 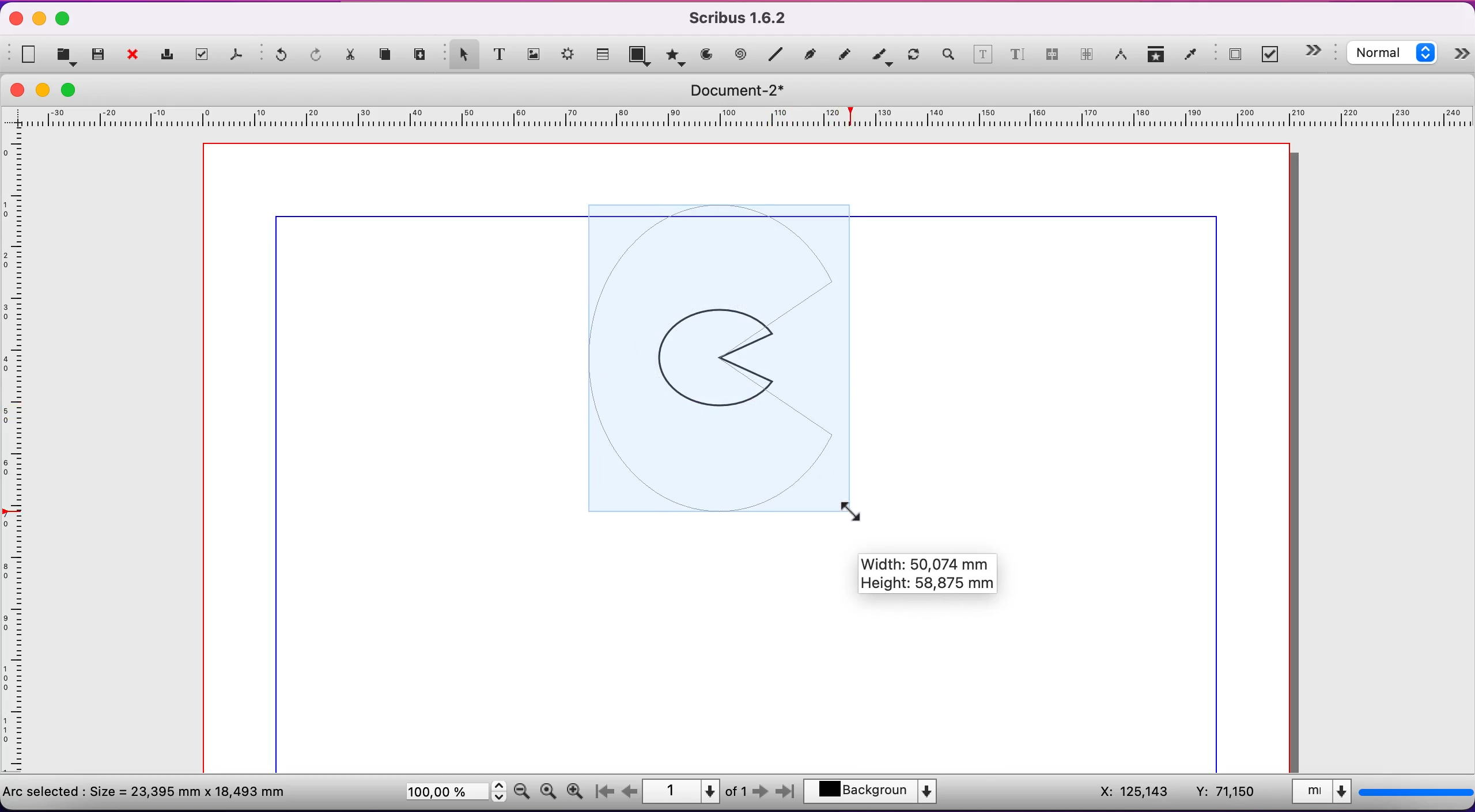 I want to click on close, so click(x=17, y=90).